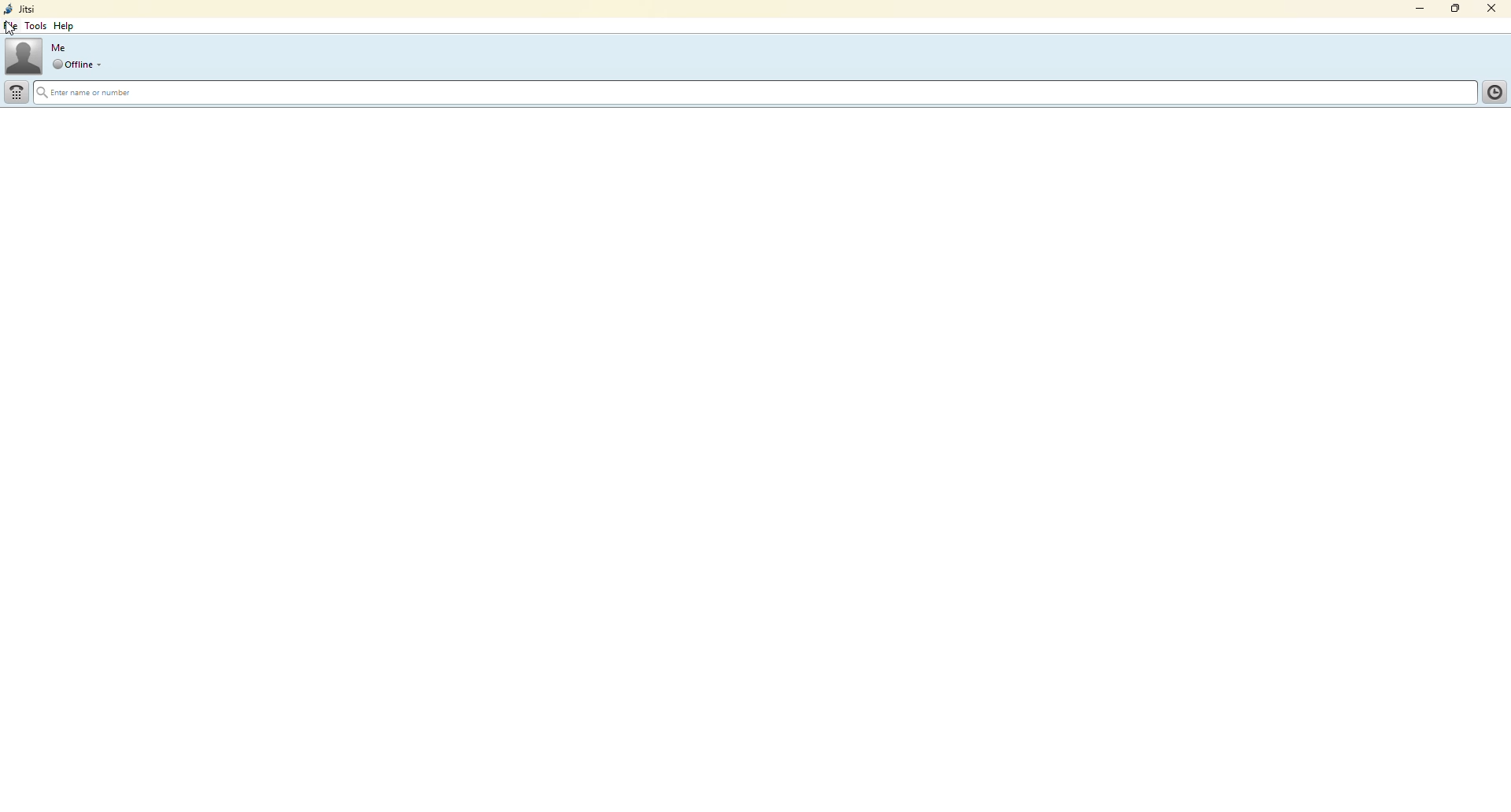 The width and height of the screenshot is (1511, 812). What do you see at coordinates (10, 30) in the screenshot?
I see `cursor` at bounding box center [10, 30].